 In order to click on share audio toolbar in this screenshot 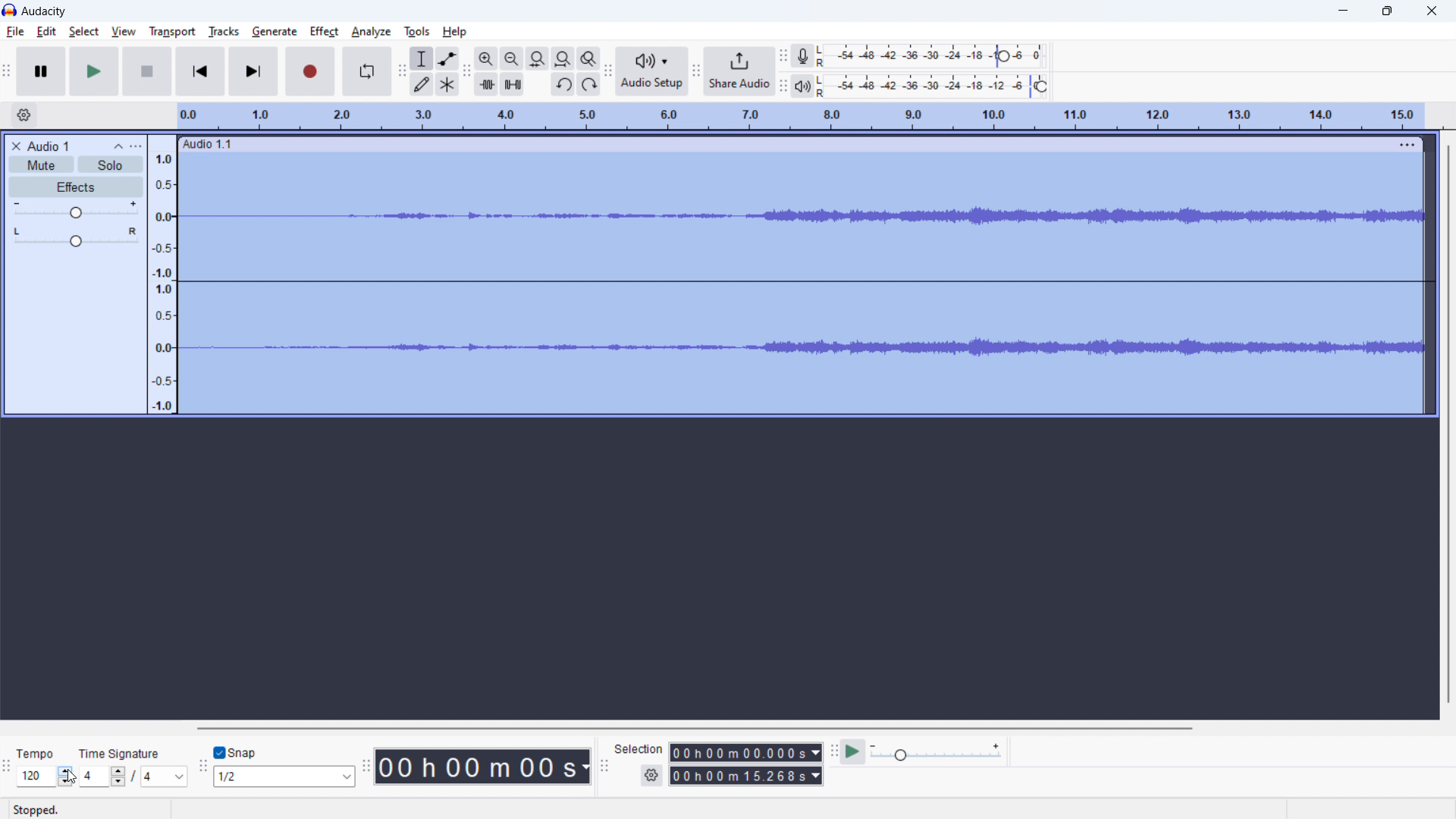, I will do `click(696, 71)`.